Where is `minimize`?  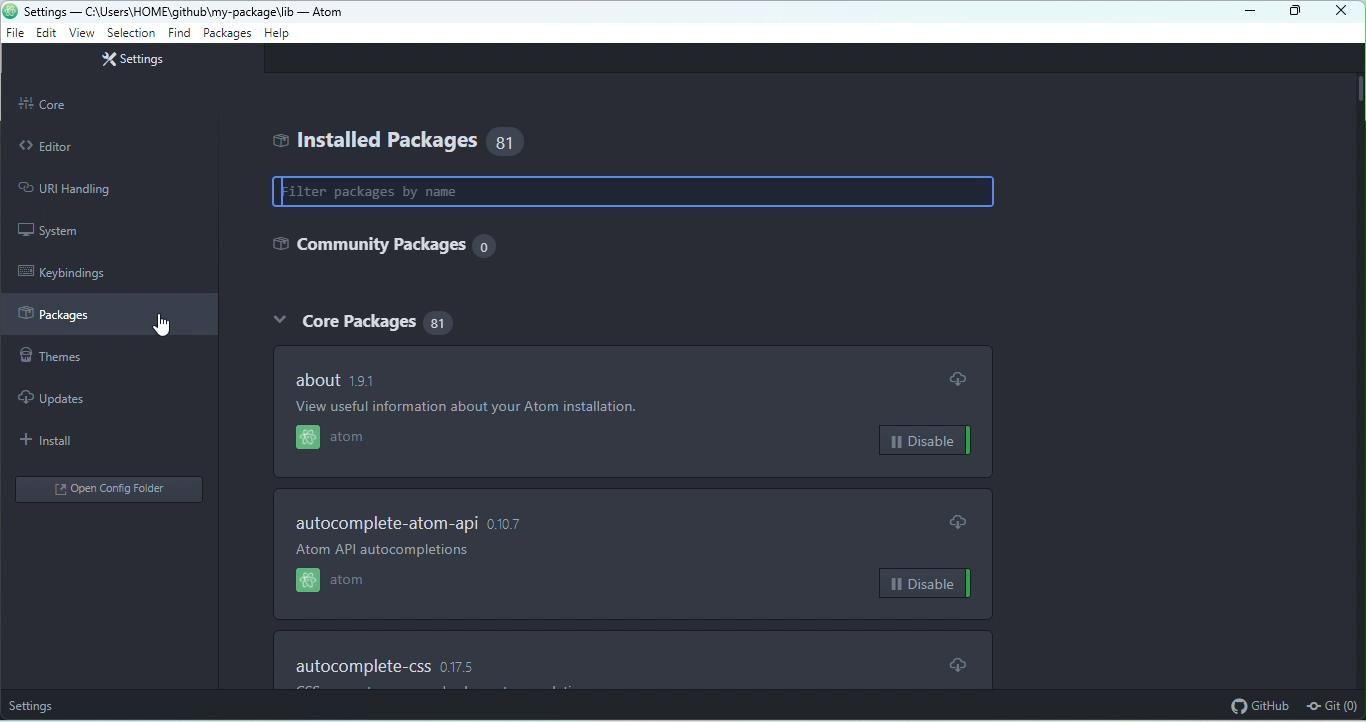 minimize is located at coordinates (1245, 13).